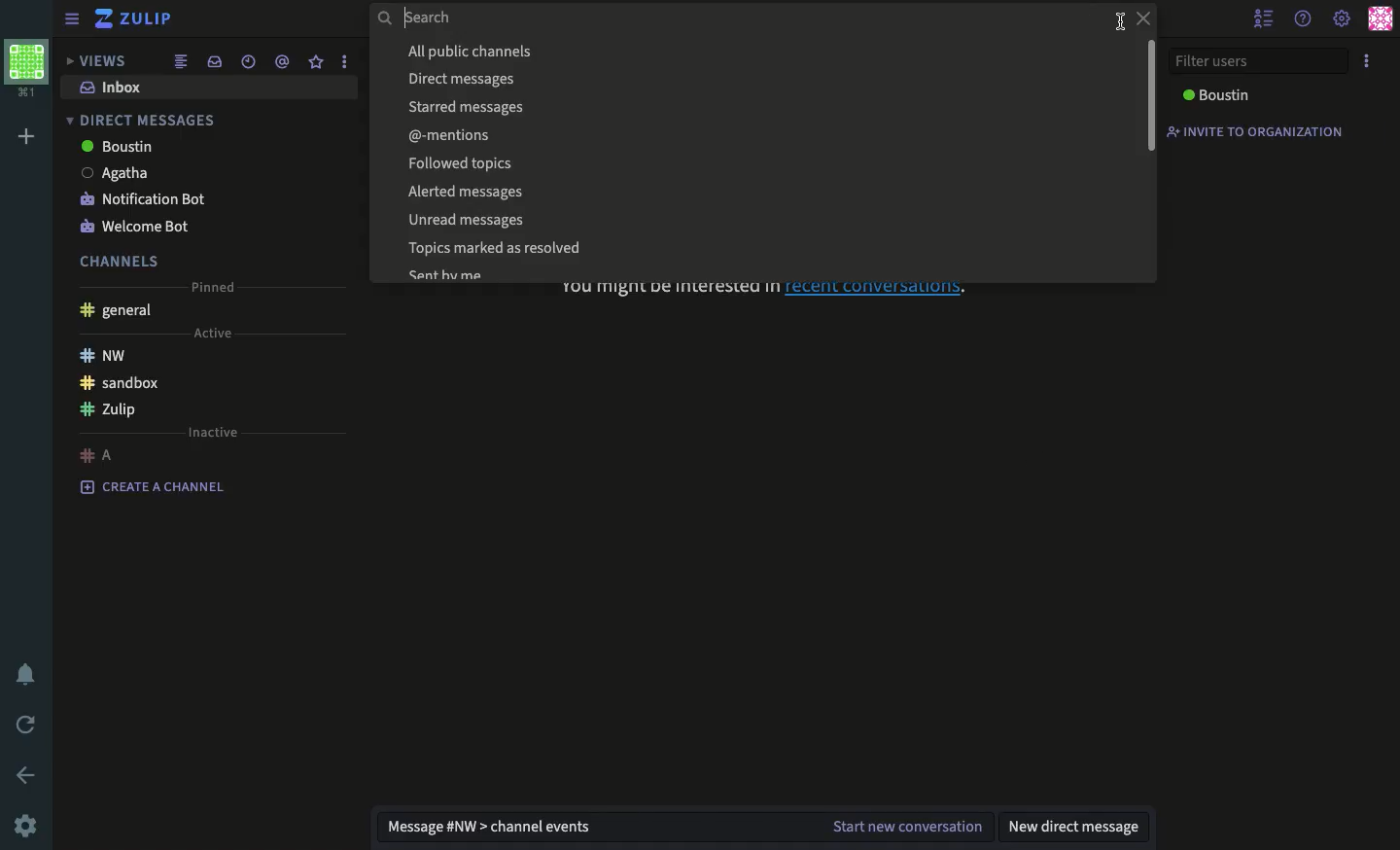 The width and height of the screenshot is (1400, 850). What do you see at coordinates (1266, 132) in the screenshot?
I see `invite to organization` at bounding box center [1266, 132].